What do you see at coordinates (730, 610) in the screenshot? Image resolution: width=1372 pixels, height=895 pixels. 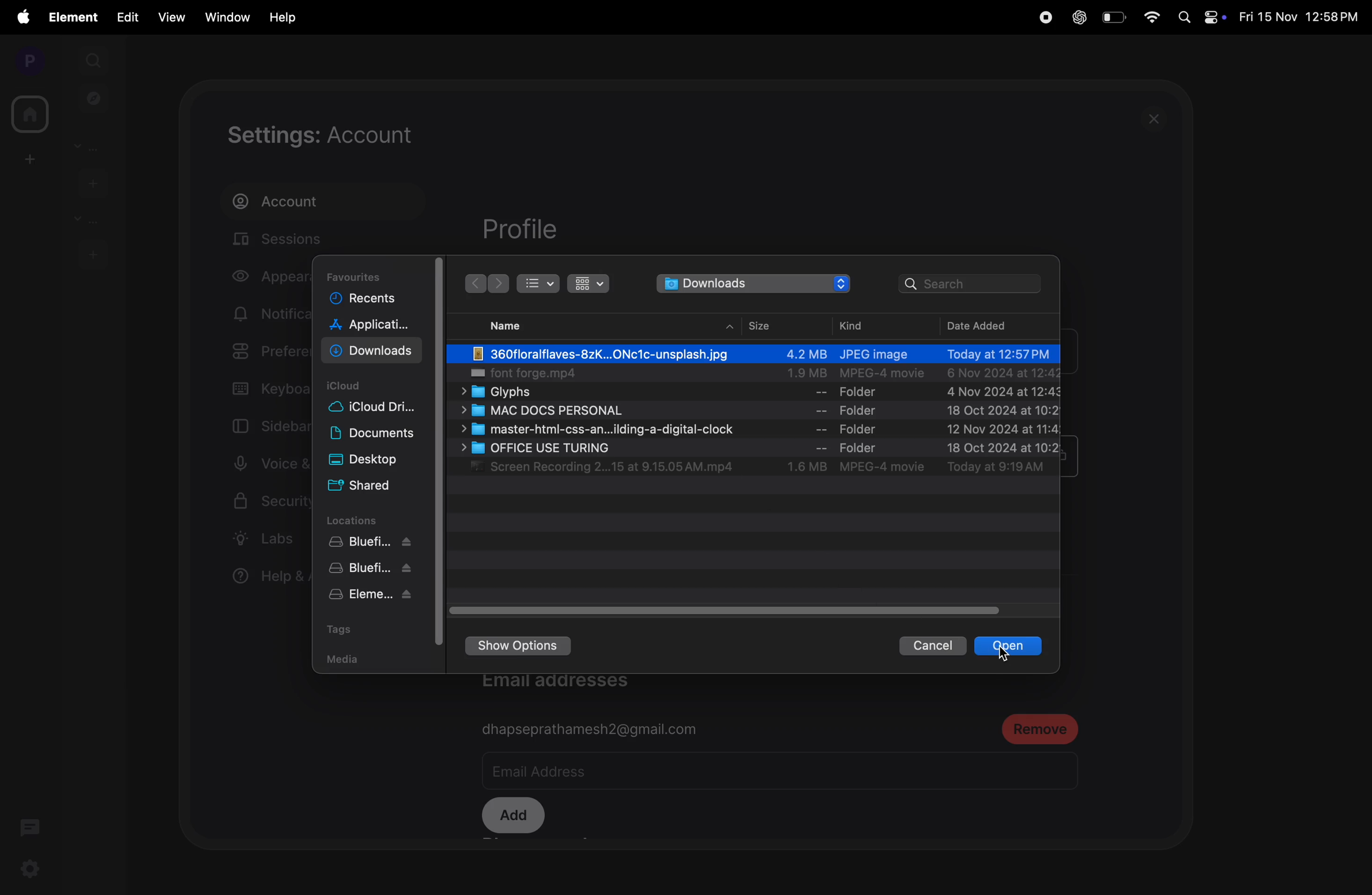 I see `taggle` at bounding box center [730, 610].